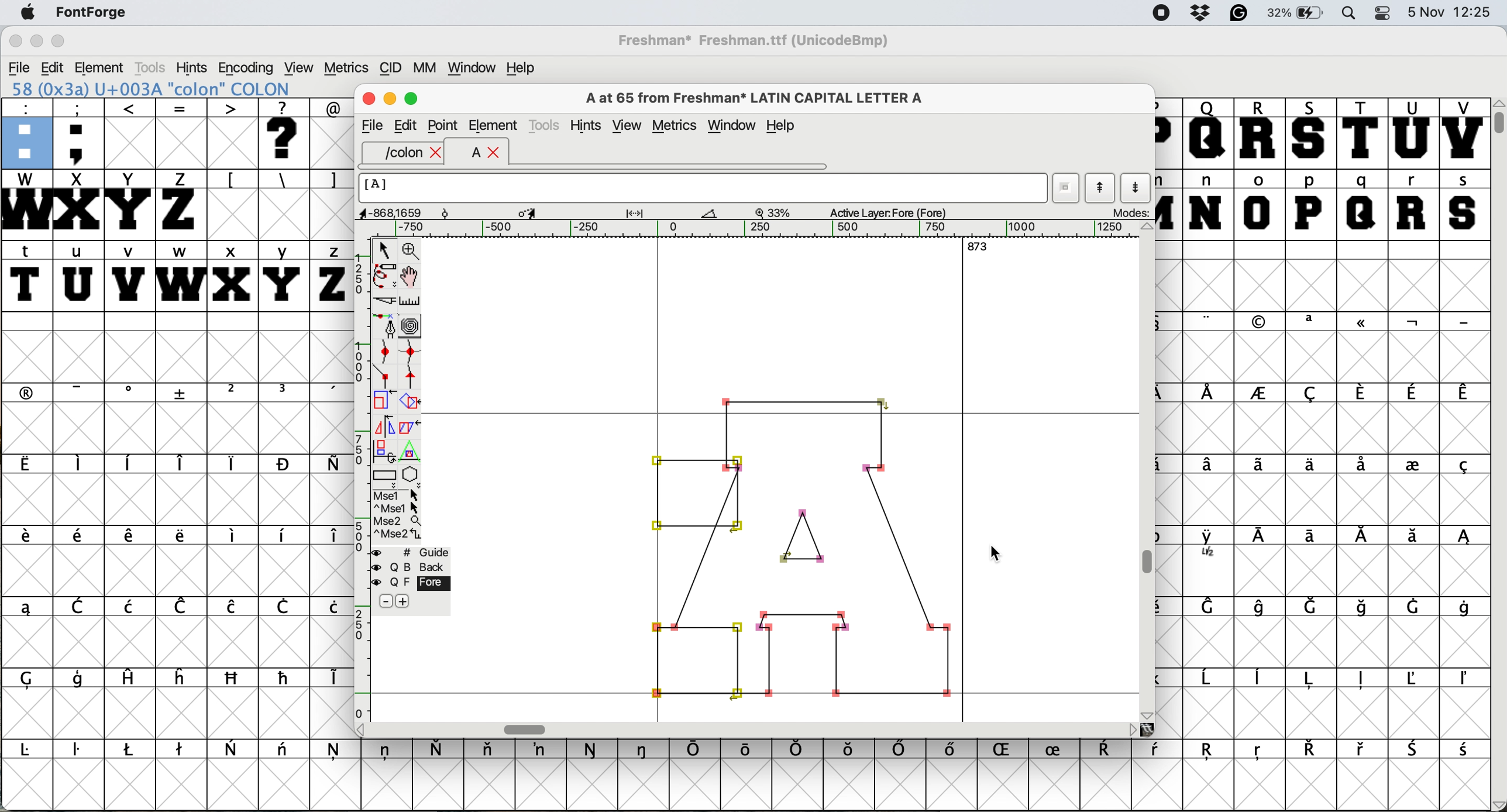 The width and height of the screenshot is (1507, 812). What do you see at coordinates (25, 204) in the screenshot?
I see `W` at bounding box center [25, 204].